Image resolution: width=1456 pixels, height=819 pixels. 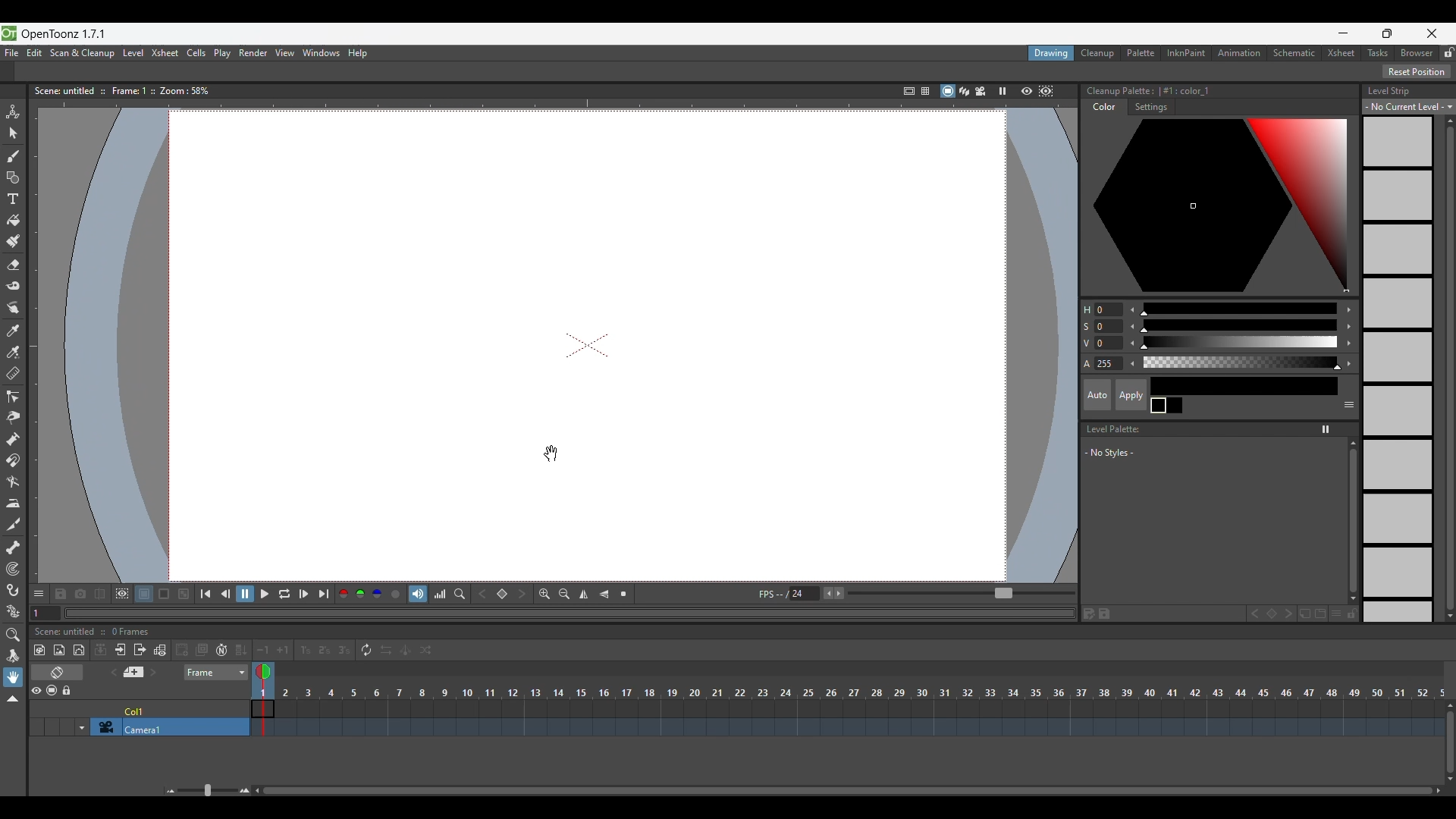 I want to click on Black background, so click(x=164, y=594).